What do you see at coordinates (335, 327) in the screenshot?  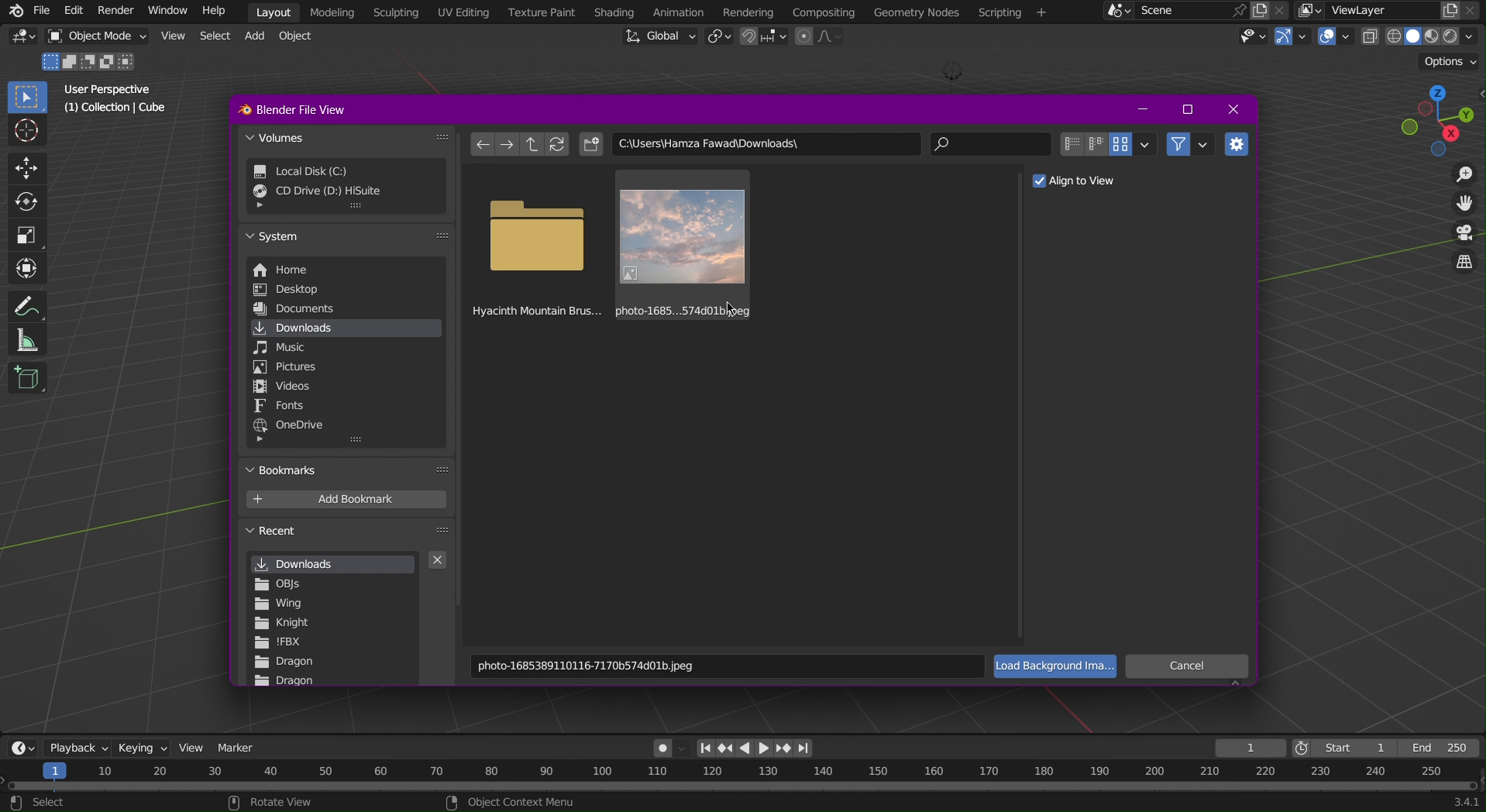 I see `Downloads` at bounding box center [335, 327].